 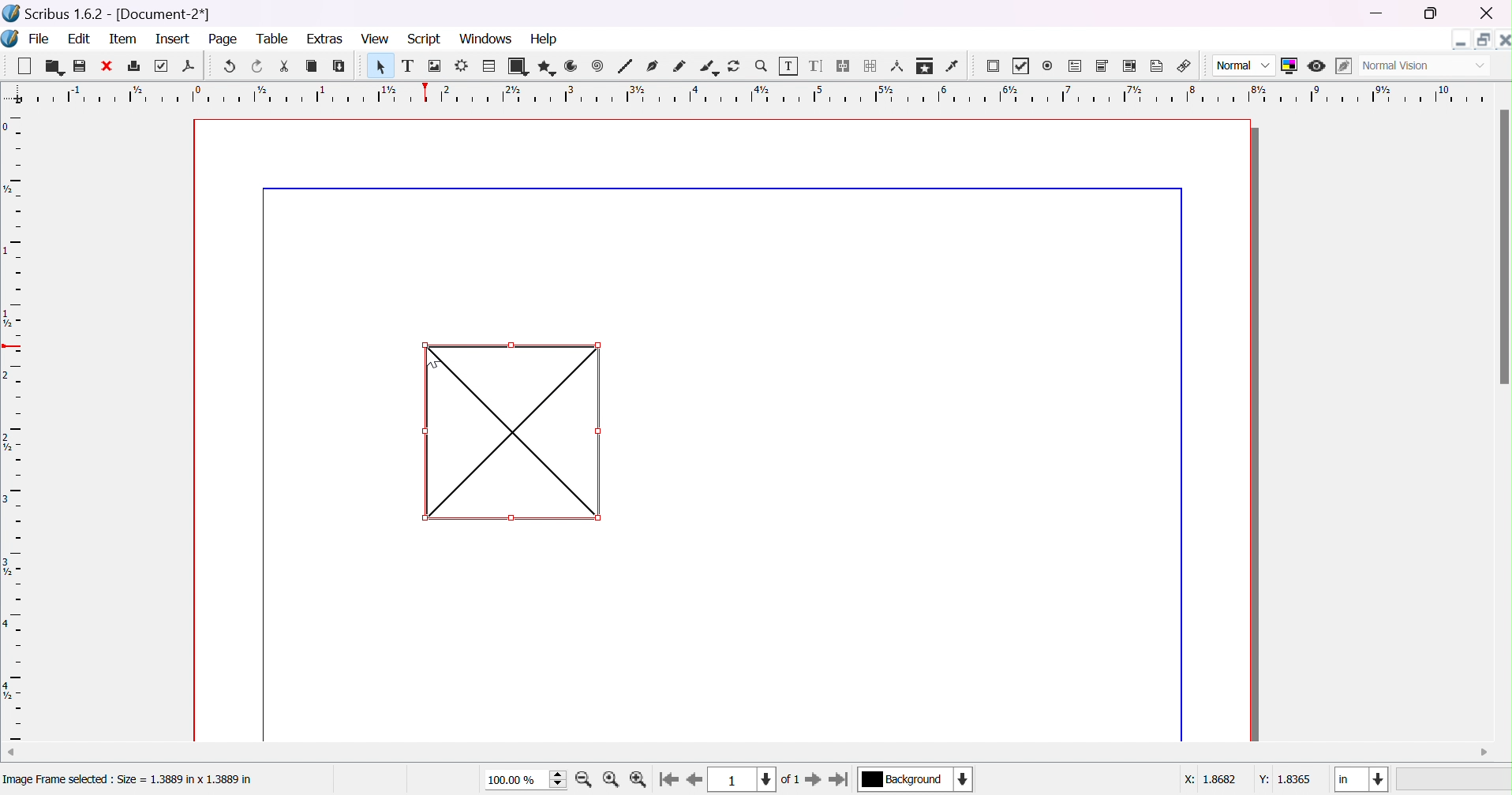 What do you see at coordinates (1319, 66) in the screenshot?
I see `preview mode` at bounding box center [1319, 66].